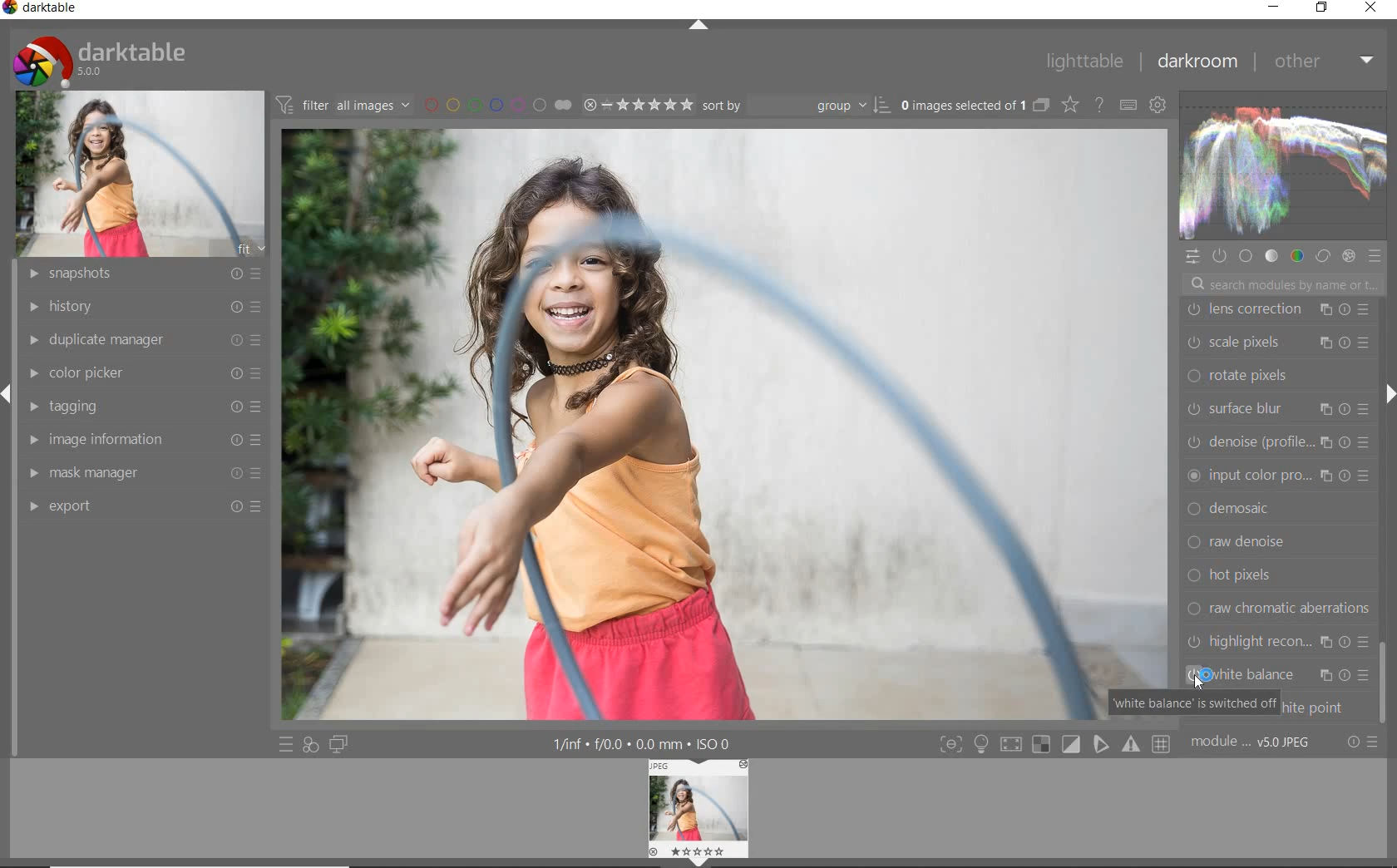  I want to click on arrow , so click(12, 396).